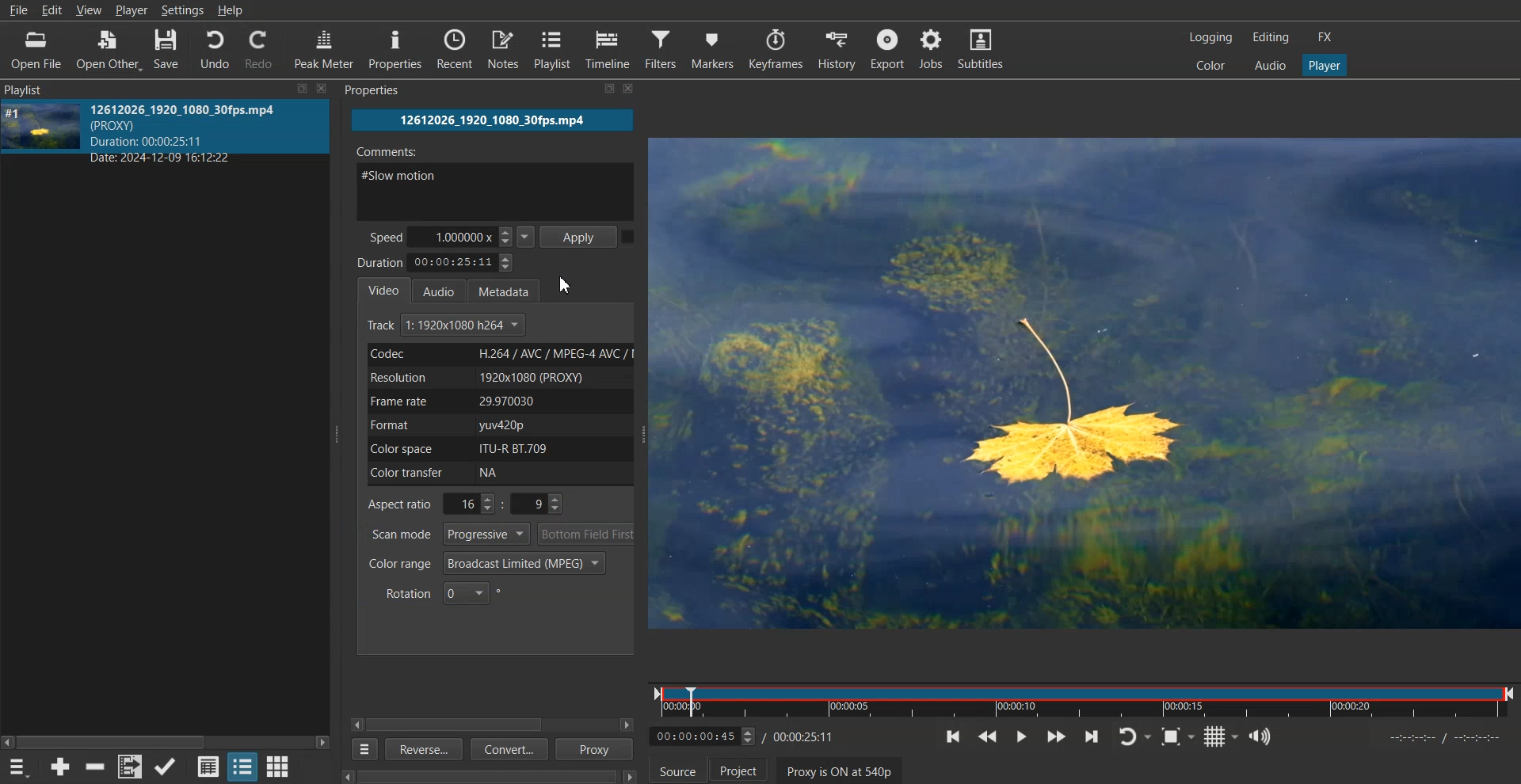 This screenshot has width=1521, height=784. What do you see at coordinates (486, 563) in the screenshot?
I see `Color range Broadcast limited` at bounding box center [486, 563].